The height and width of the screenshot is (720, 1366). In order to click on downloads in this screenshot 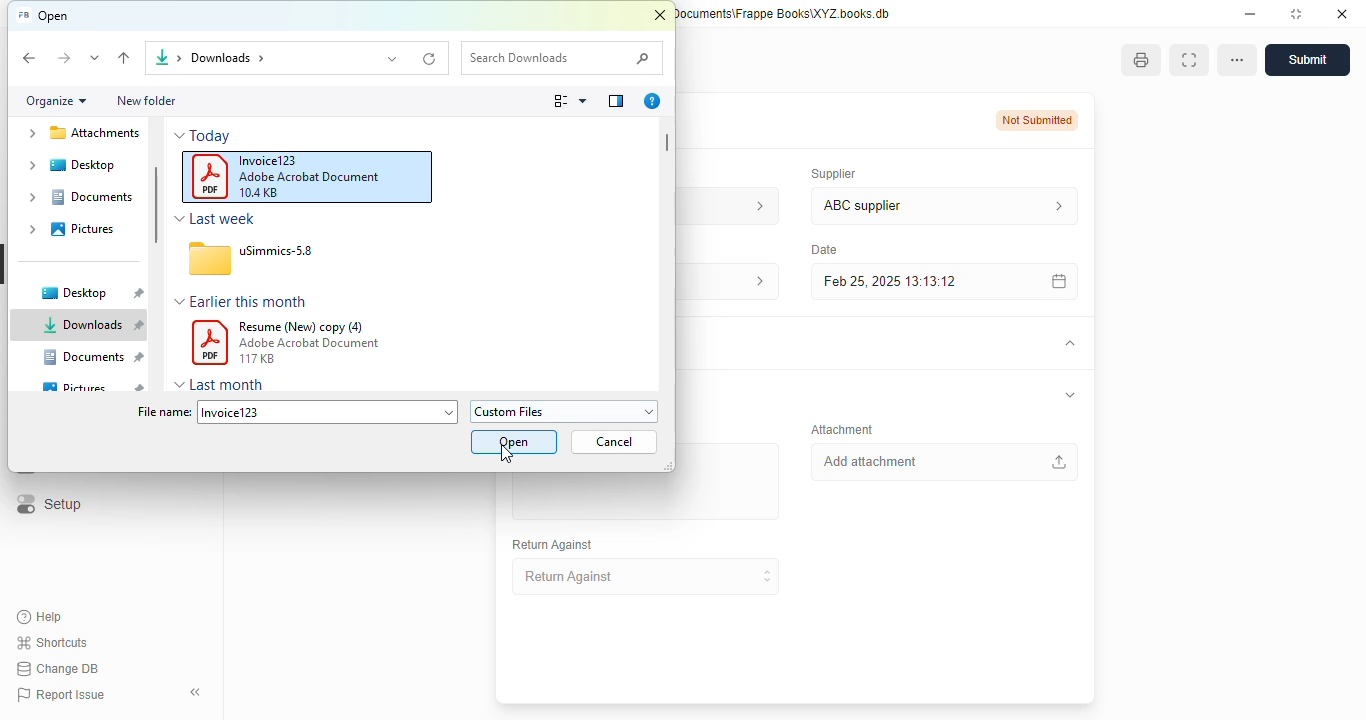, I will do `click(90, 325)`.